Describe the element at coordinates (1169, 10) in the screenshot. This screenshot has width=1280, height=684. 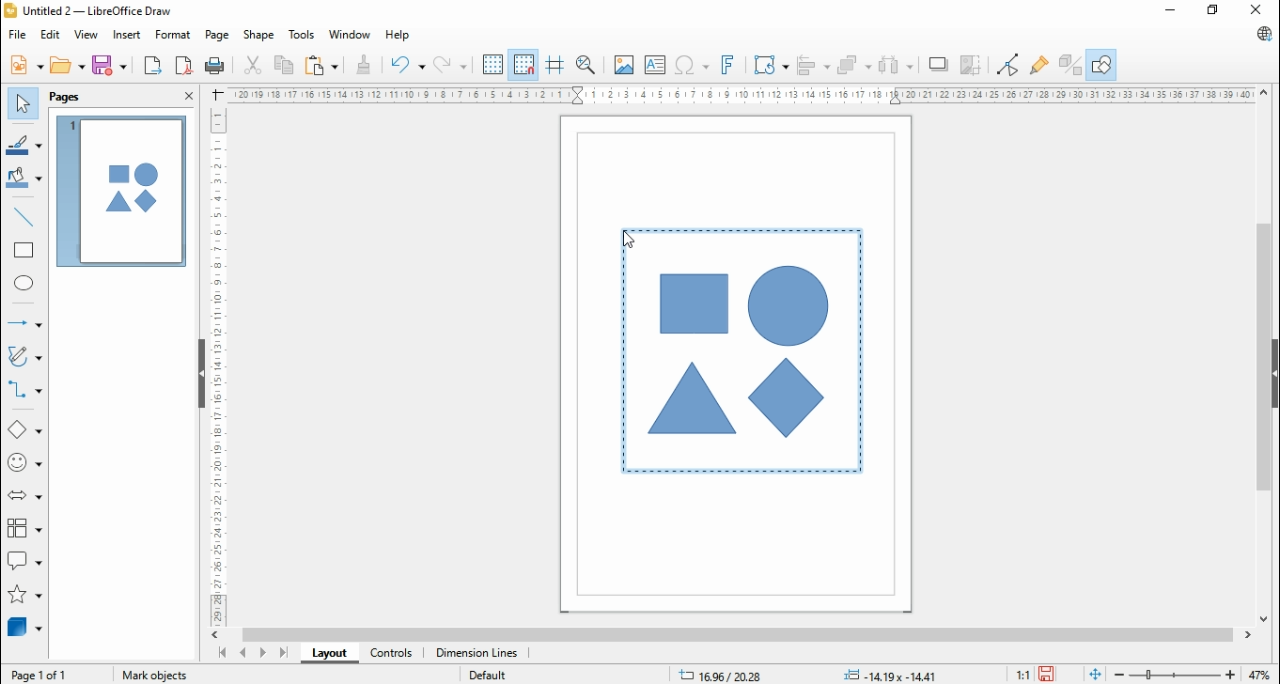
I see `minimize` at that location.